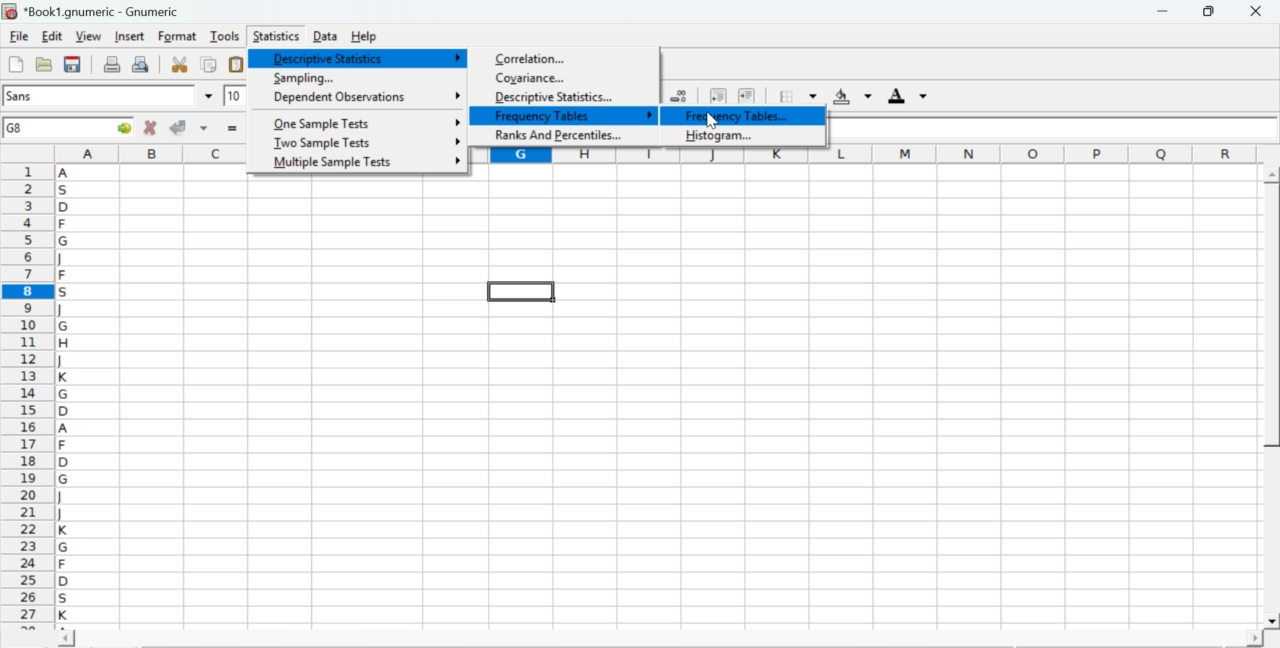  I want to click on accept changes, so click(179, 126).